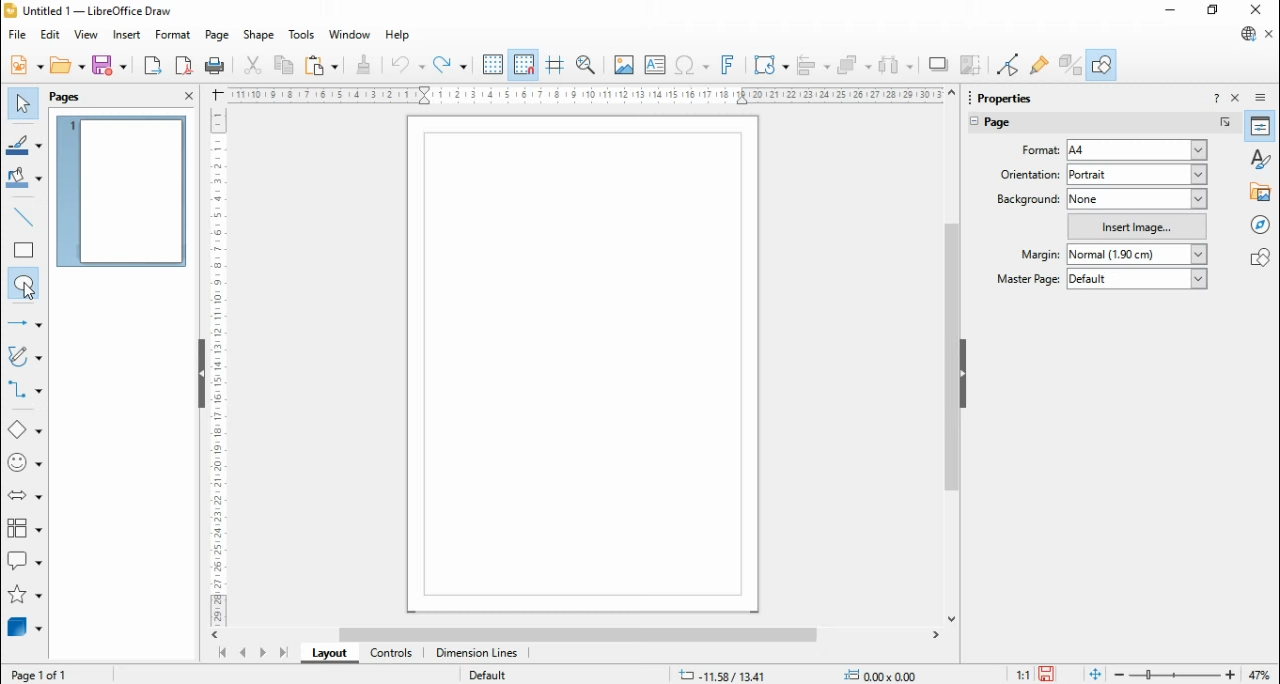 This screenshot has width=1280, height=684. Describe the element at coordinates (22, 103) in the screenshot. I see `select` at that location.